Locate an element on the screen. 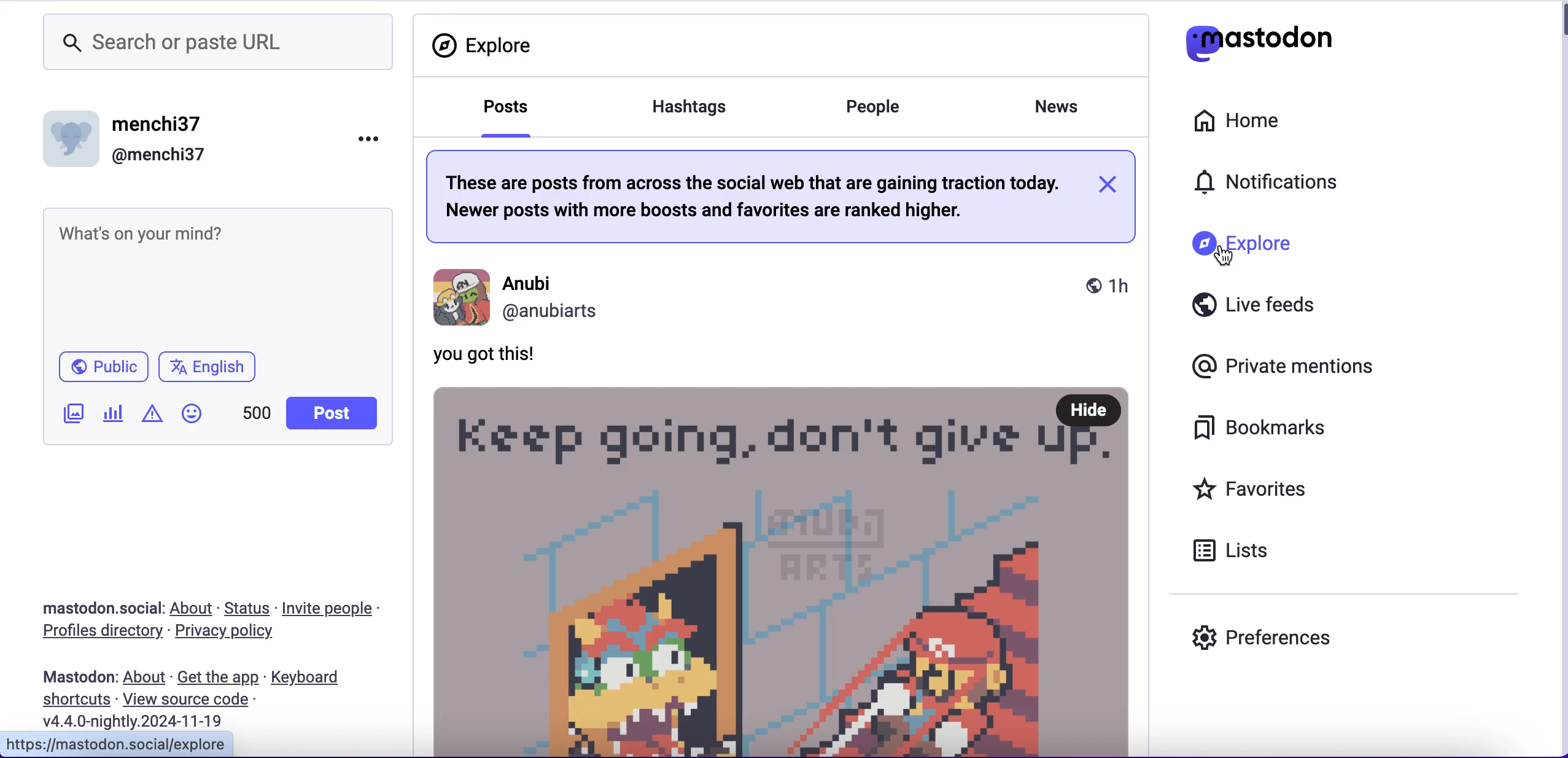 This screenshot has height=758, width=1568. home is located at coordinates (1272, 121).